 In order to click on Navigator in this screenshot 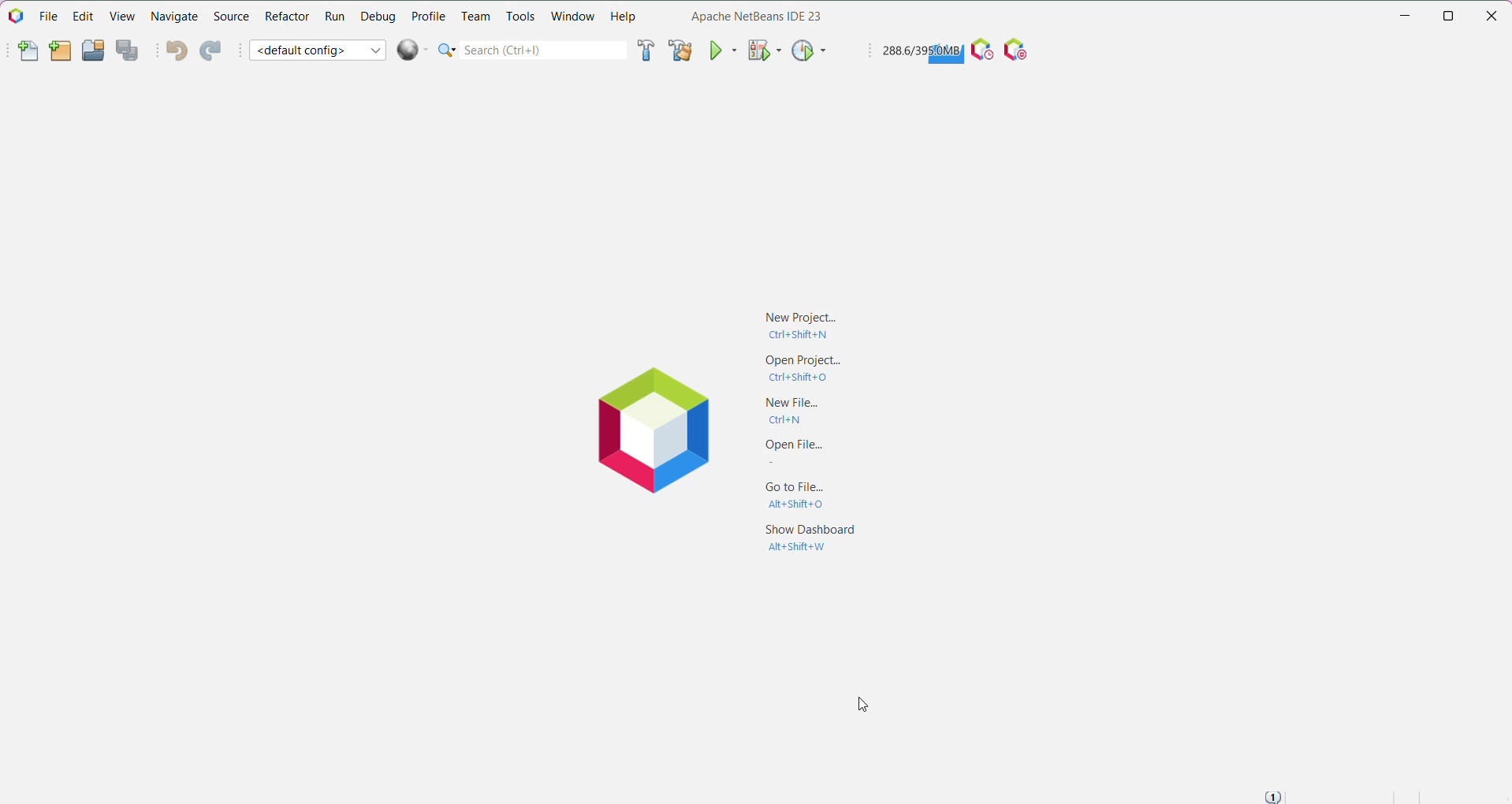, I will do `click(174, 18)`.